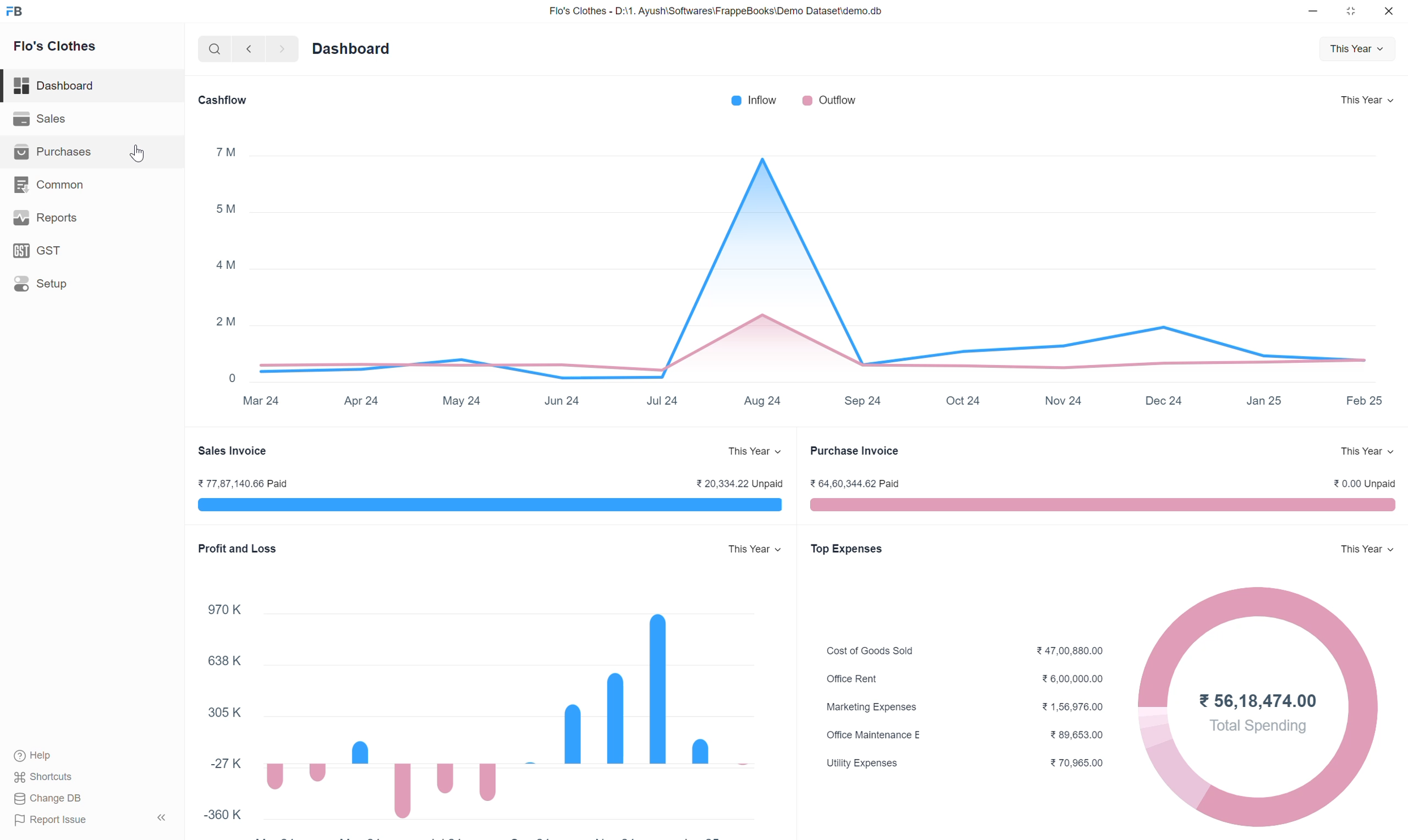  I want to click on Shortcuts, so click(49, 777).